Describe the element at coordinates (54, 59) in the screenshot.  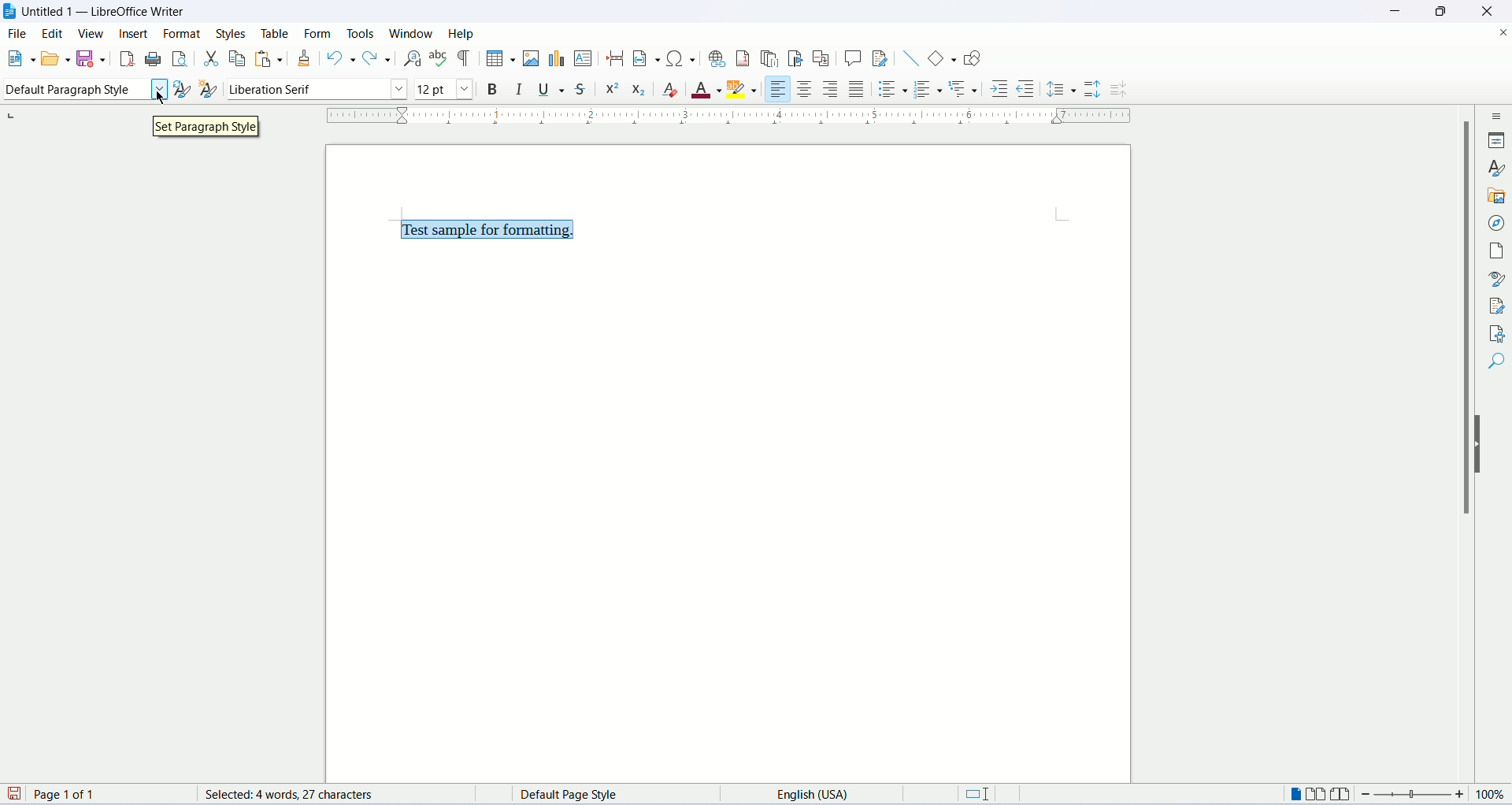
I see `open` at that location.